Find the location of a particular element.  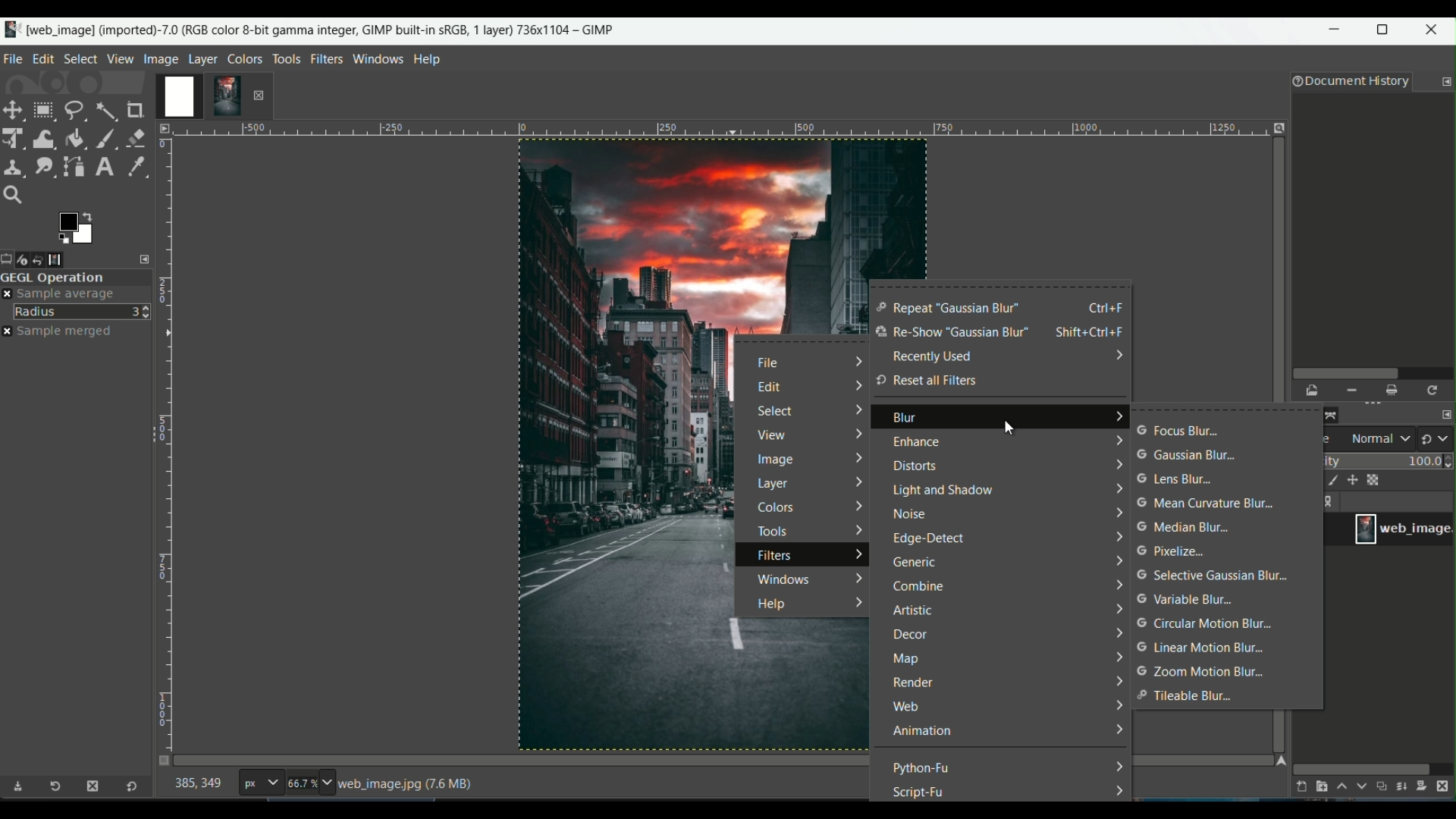

repeat is located at coordinates (948, 309).